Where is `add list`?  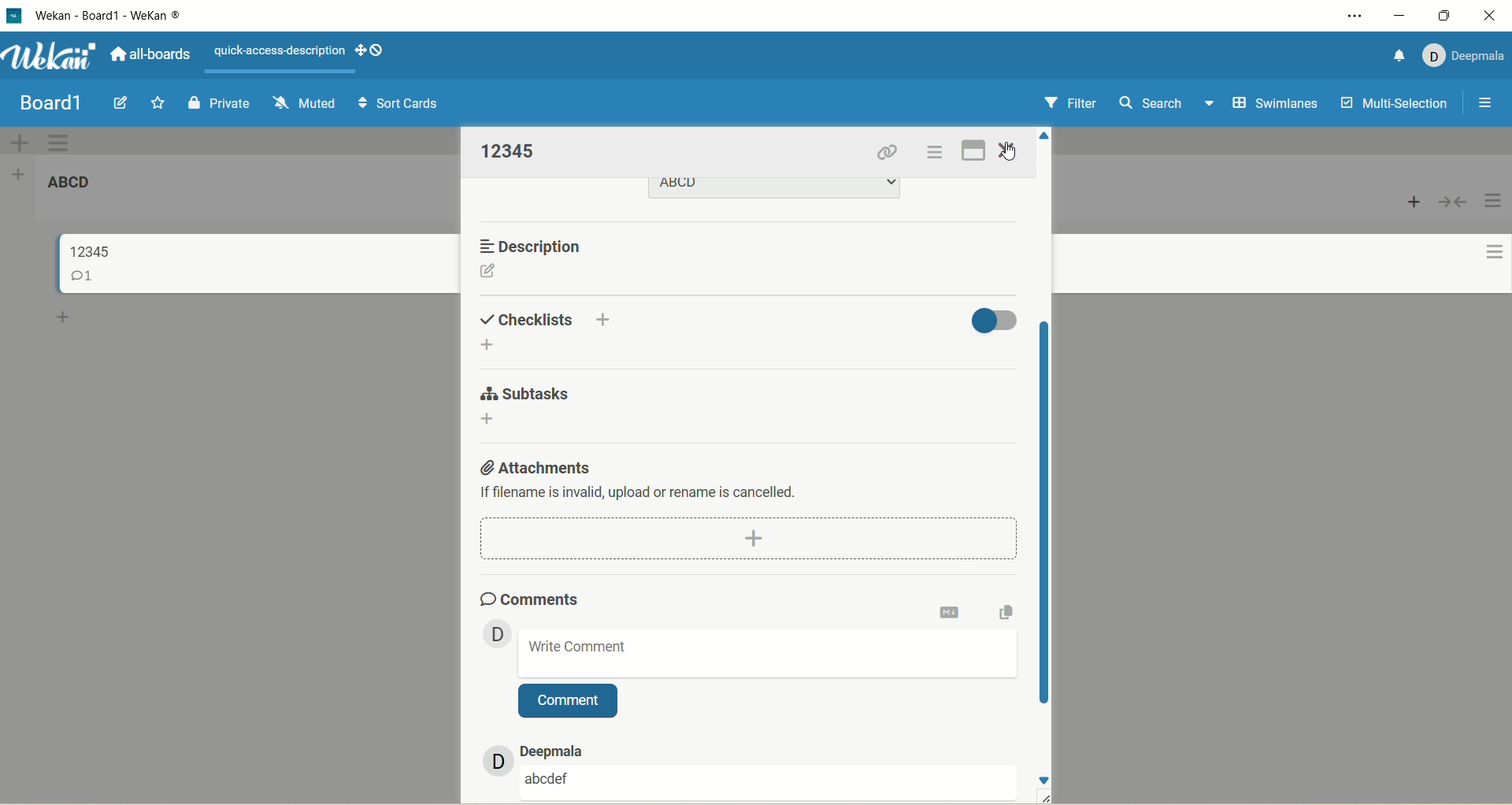
add list is located at coordinates (23, 173).